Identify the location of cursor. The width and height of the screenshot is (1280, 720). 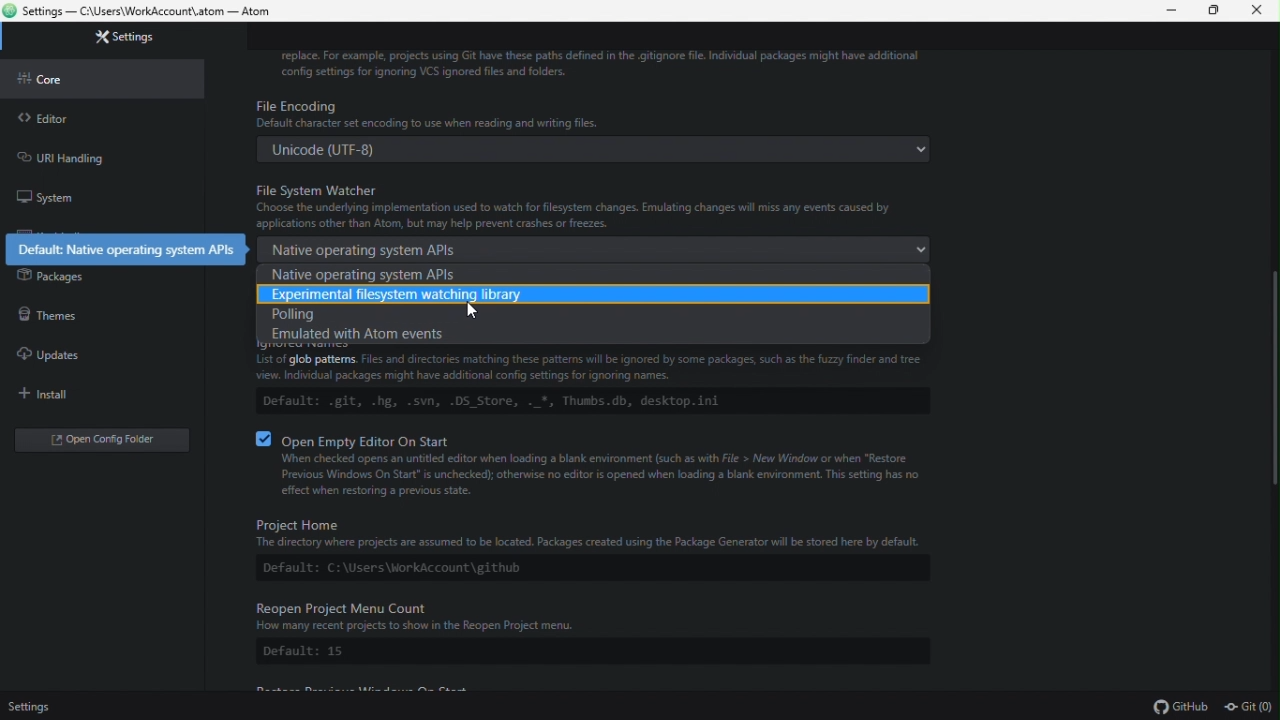
(478, 308).